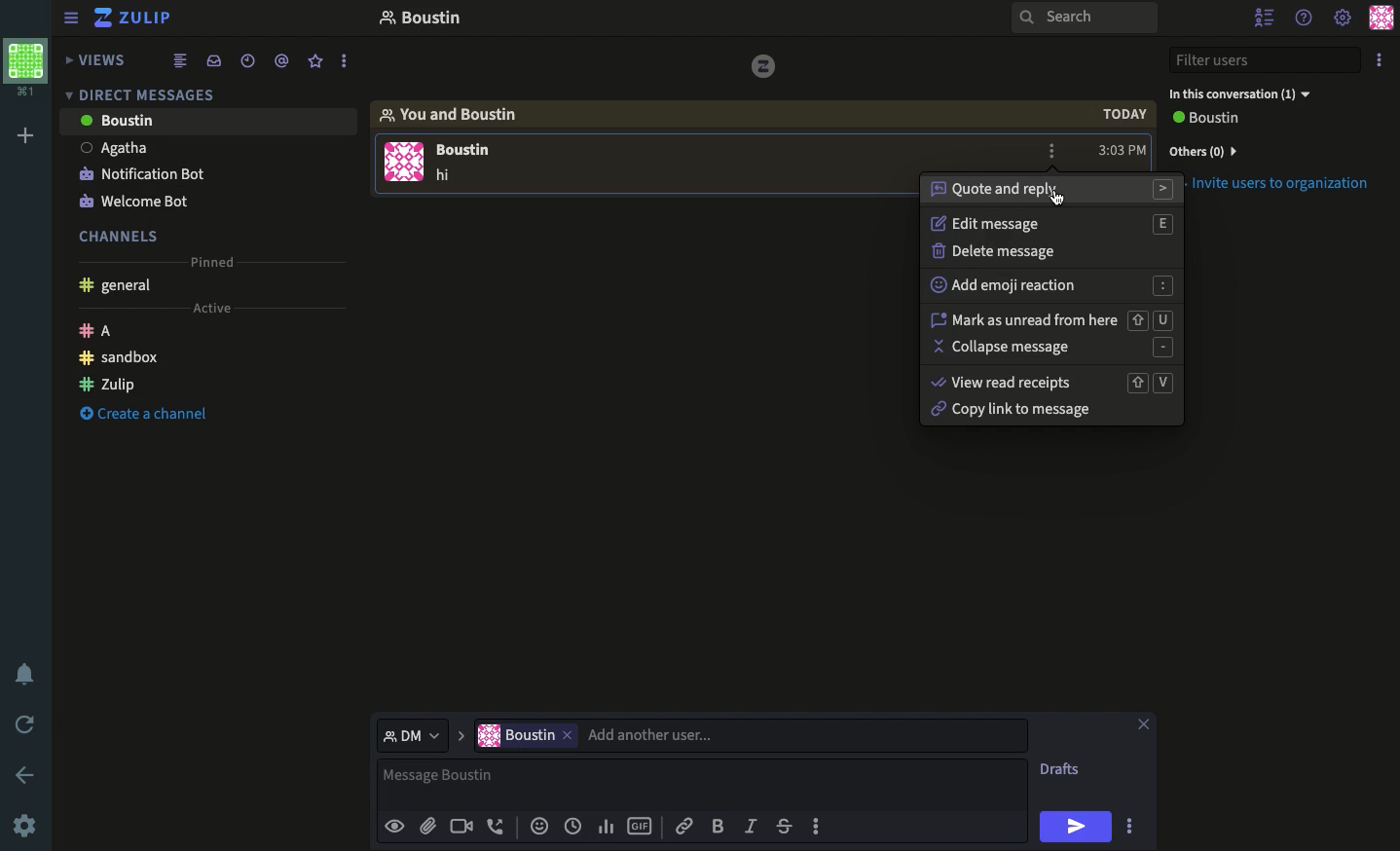 This screenshot has height=851, width=1400. What do you see at coordinates (21, 137) in the screenshot?
I see `Add` at bounding box center [21, 137].